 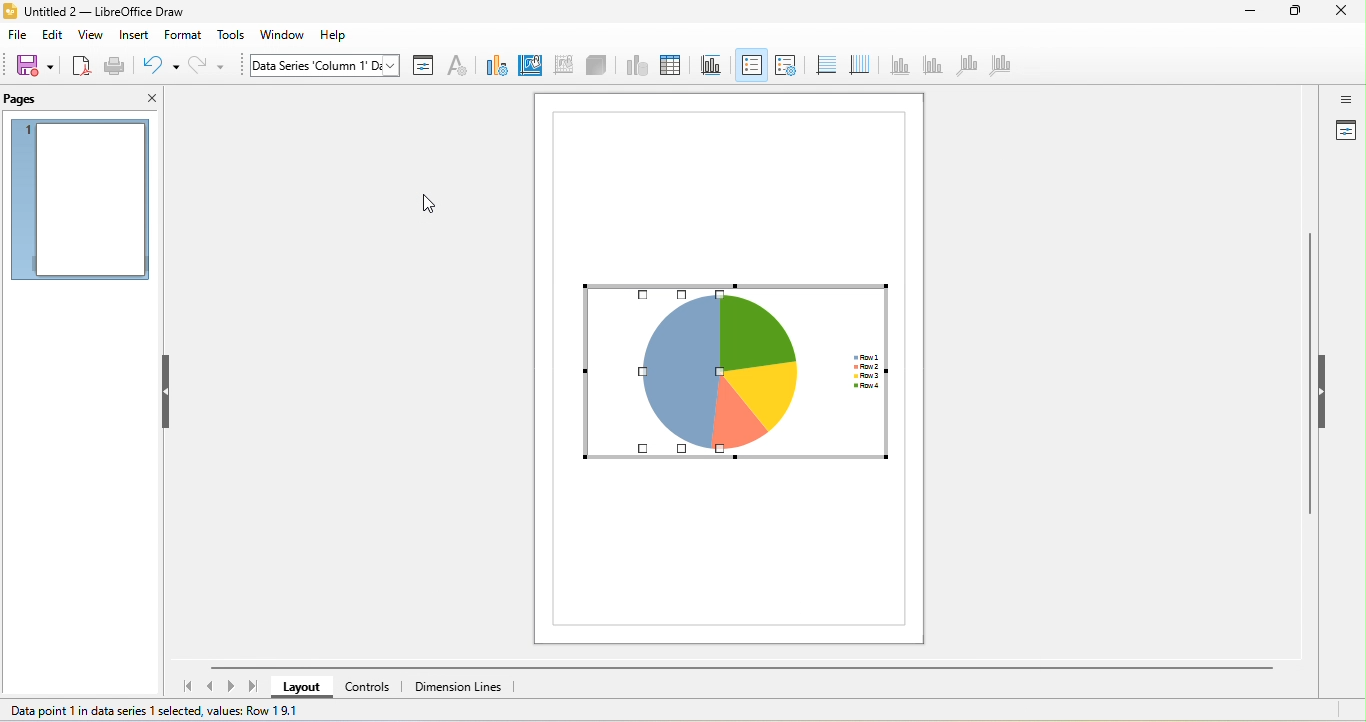 I want to click on titles, so click(x=708, y=65).